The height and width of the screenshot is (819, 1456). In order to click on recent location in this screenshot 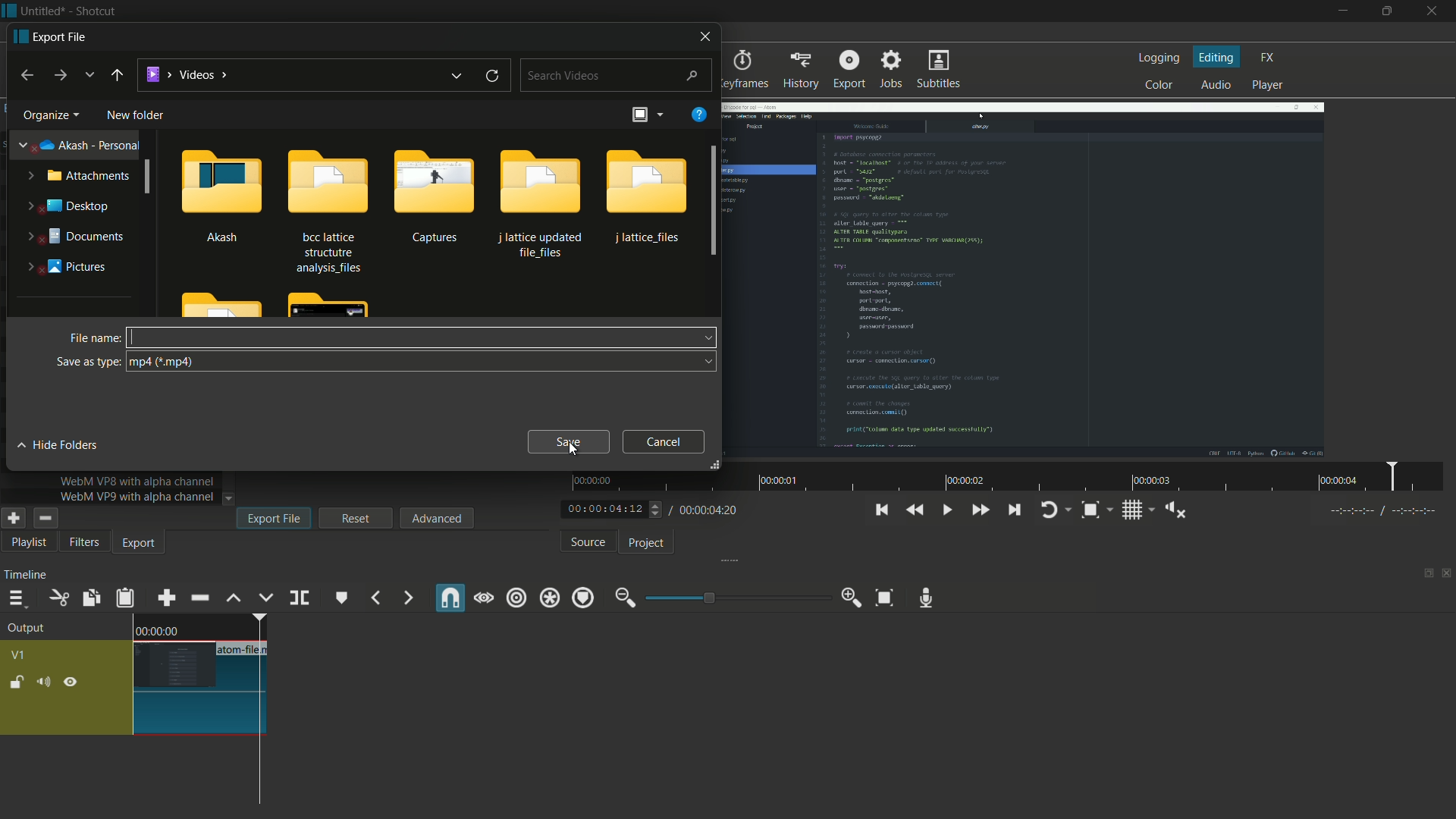, I will do `click(89, 75)`.